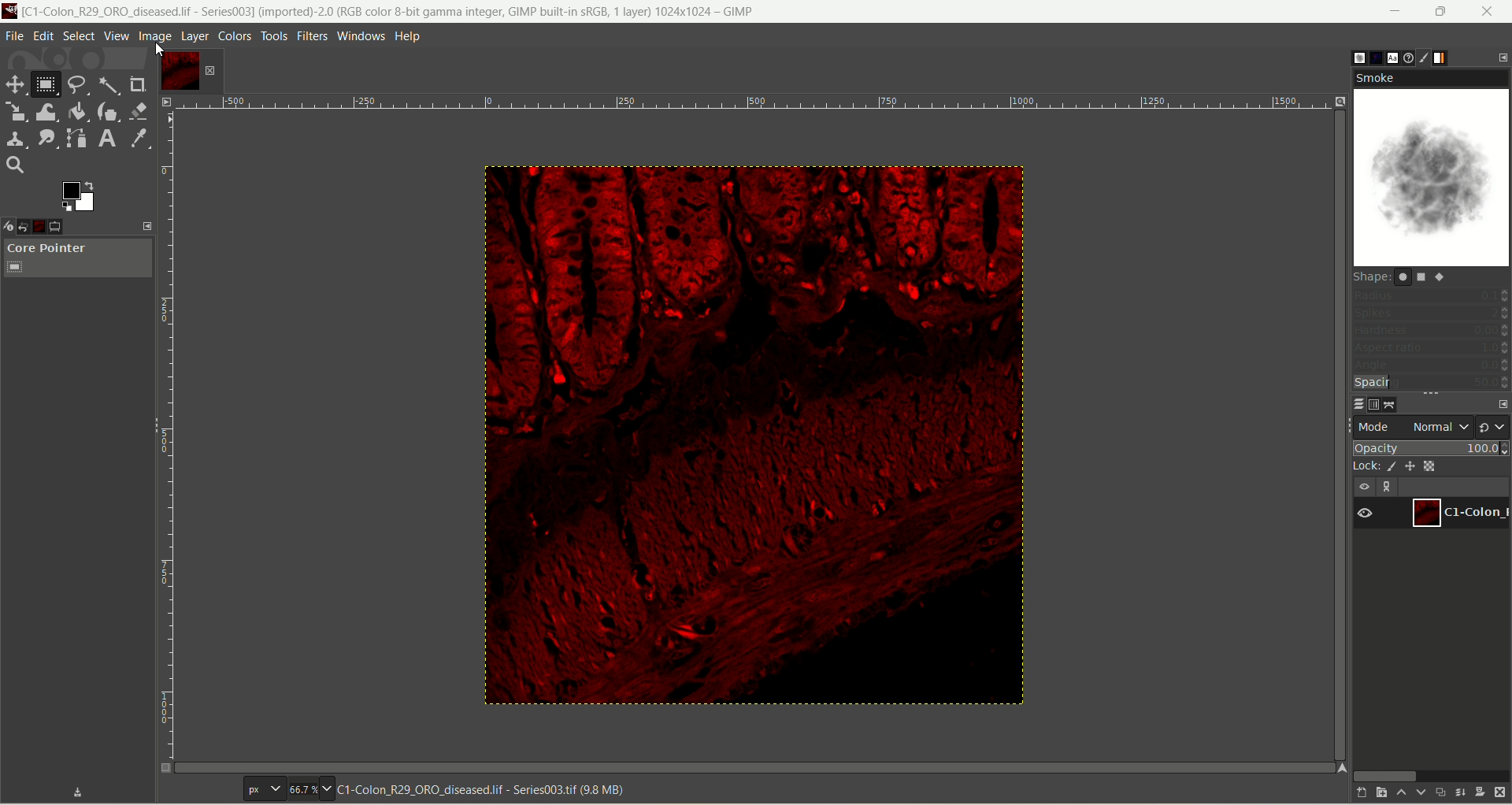 This screenshot has width=1512, height=805. What do you see at coordinates (163, 45) in the screenshot?
I see `cursor` at bounding box center [163, 45].